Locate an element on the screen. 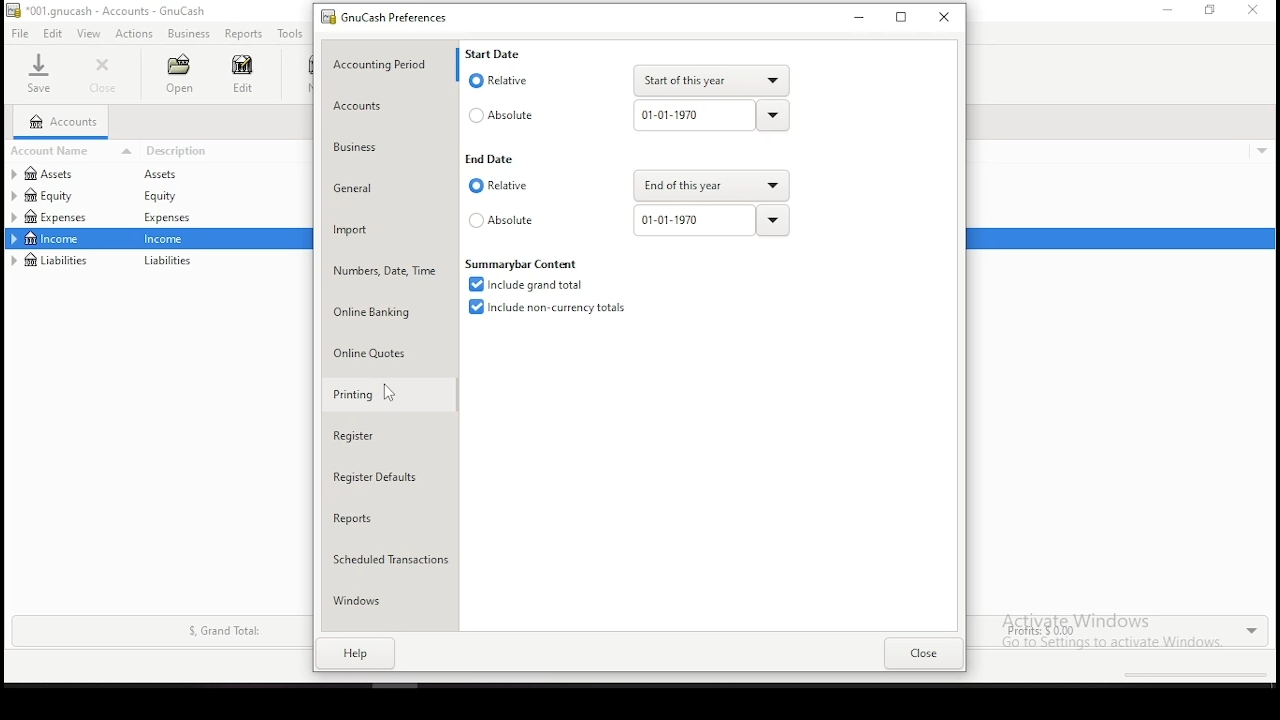 The height and width of the screenshot is (720, 1280). start date: relative is located at coordinates (627, 81).